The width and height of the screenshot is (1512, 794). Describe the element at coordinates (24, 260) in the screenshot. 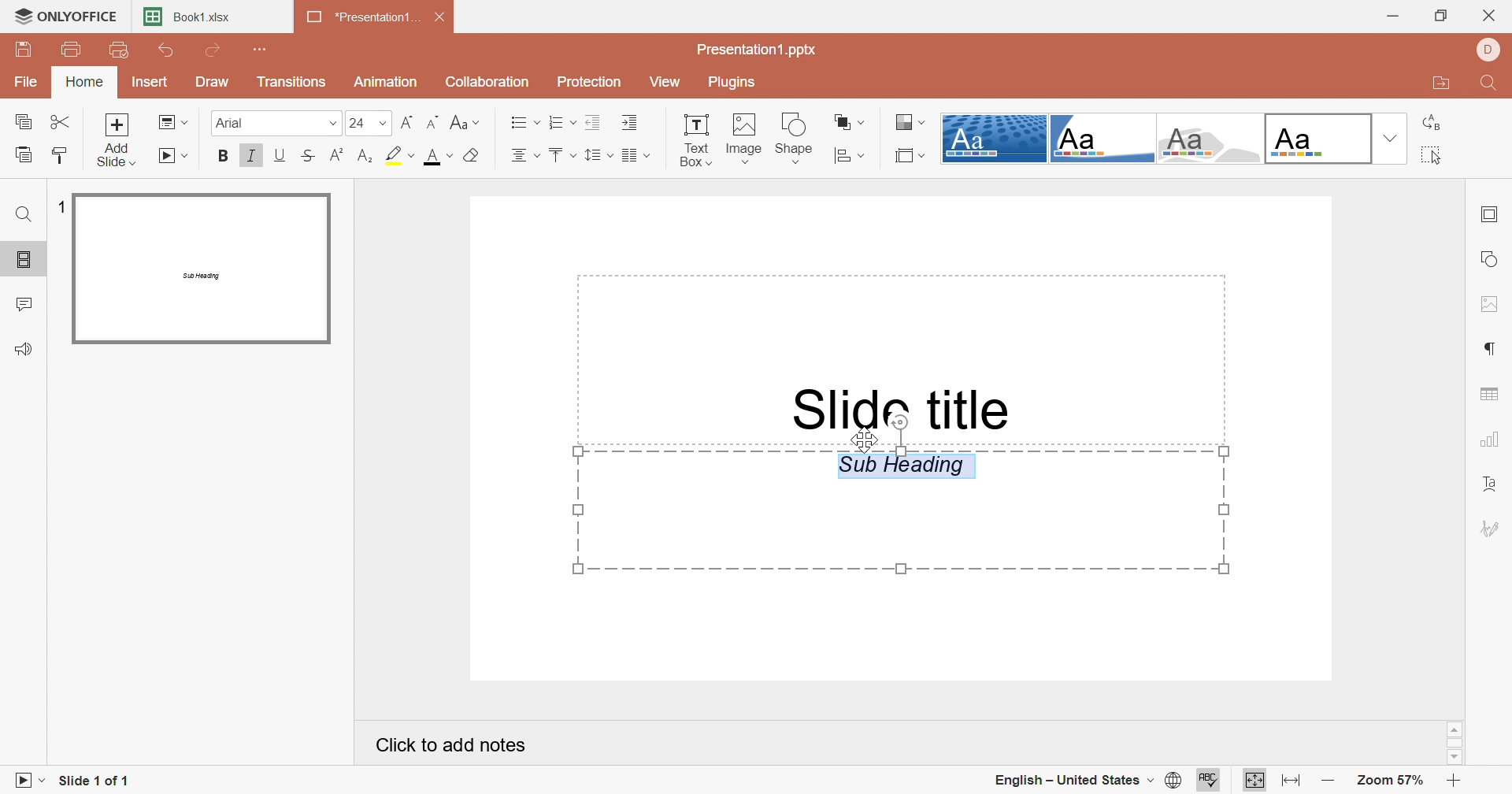

I see `Slides` at that location.